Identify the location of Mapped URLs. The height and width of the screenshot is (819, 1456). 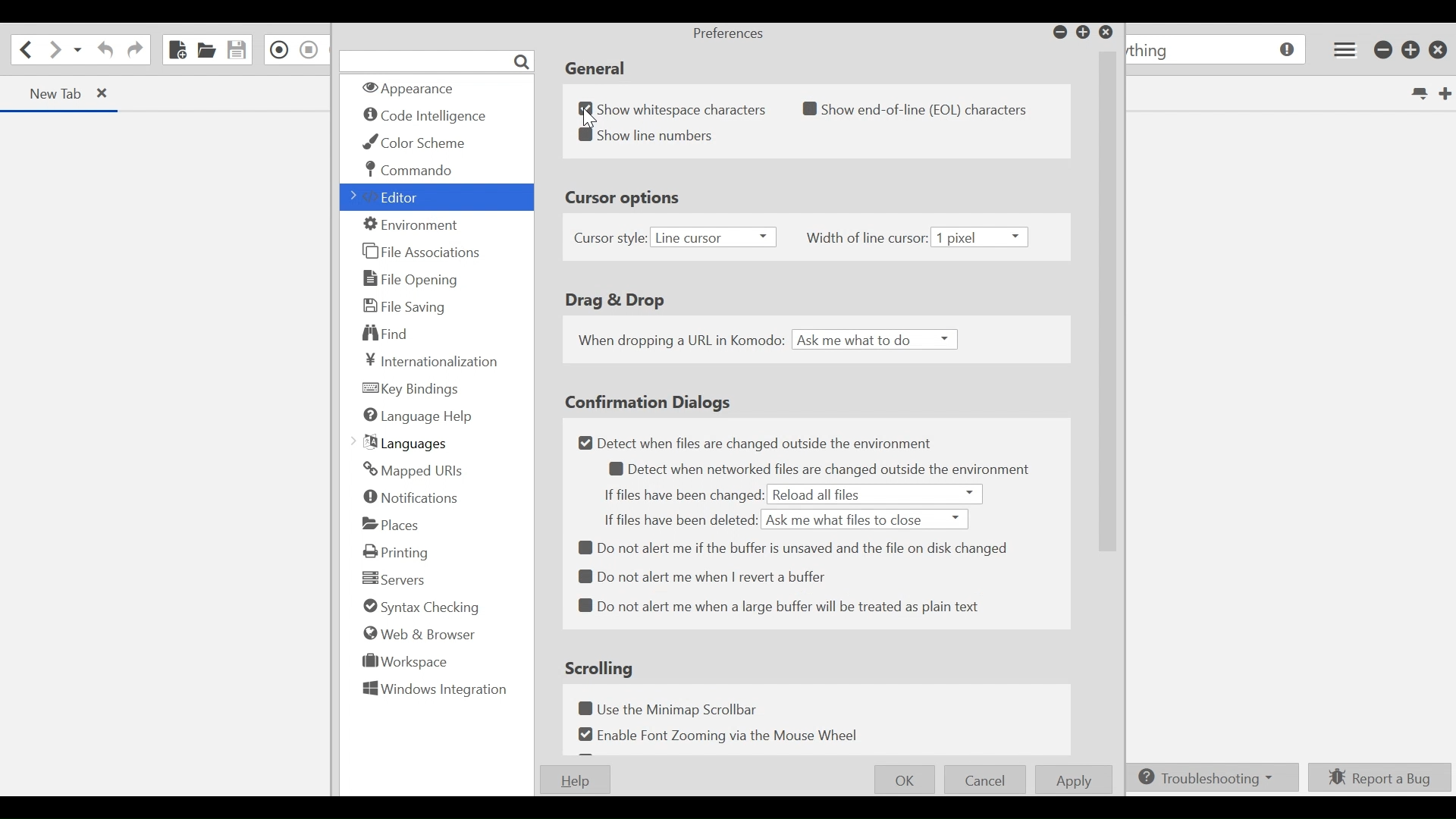
(413, 471).